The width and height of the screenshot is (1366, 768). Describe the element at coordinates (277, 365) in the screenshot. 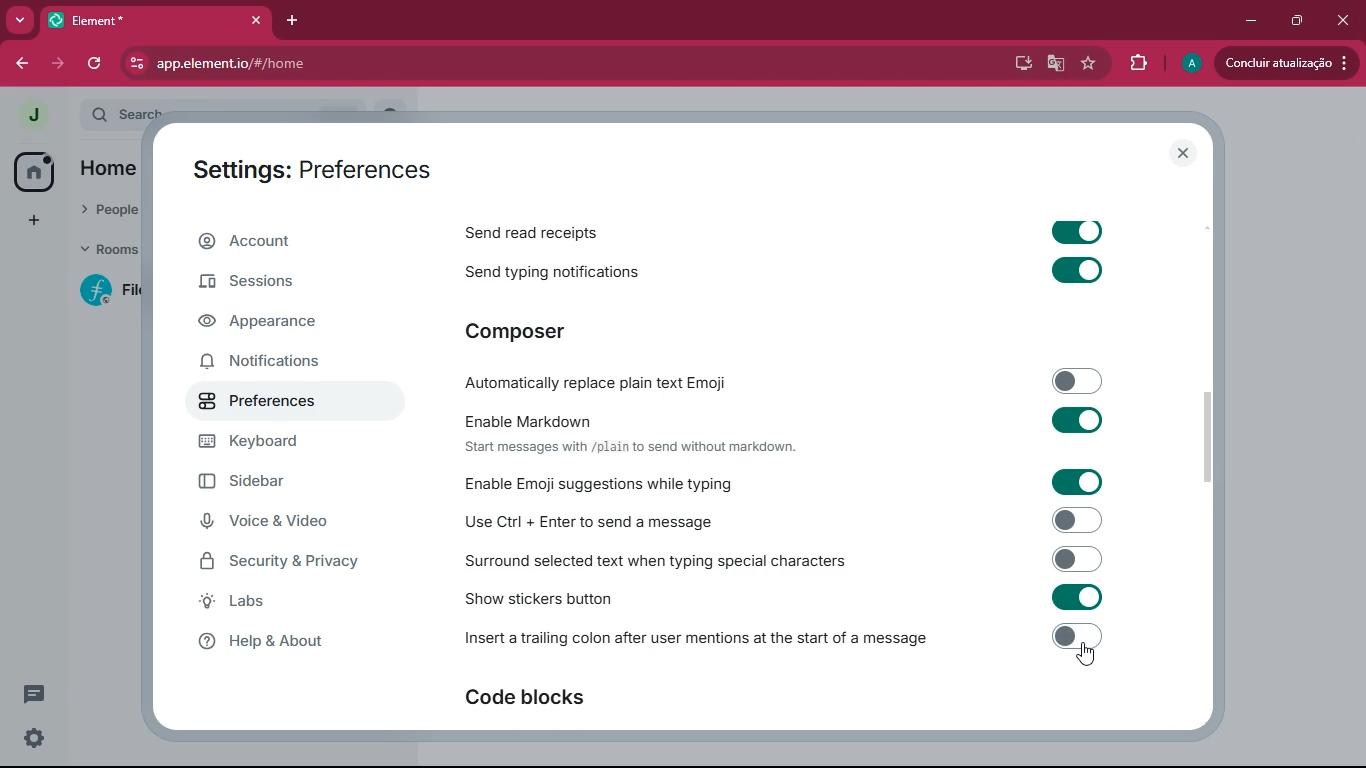

I see `notifications` at that location.